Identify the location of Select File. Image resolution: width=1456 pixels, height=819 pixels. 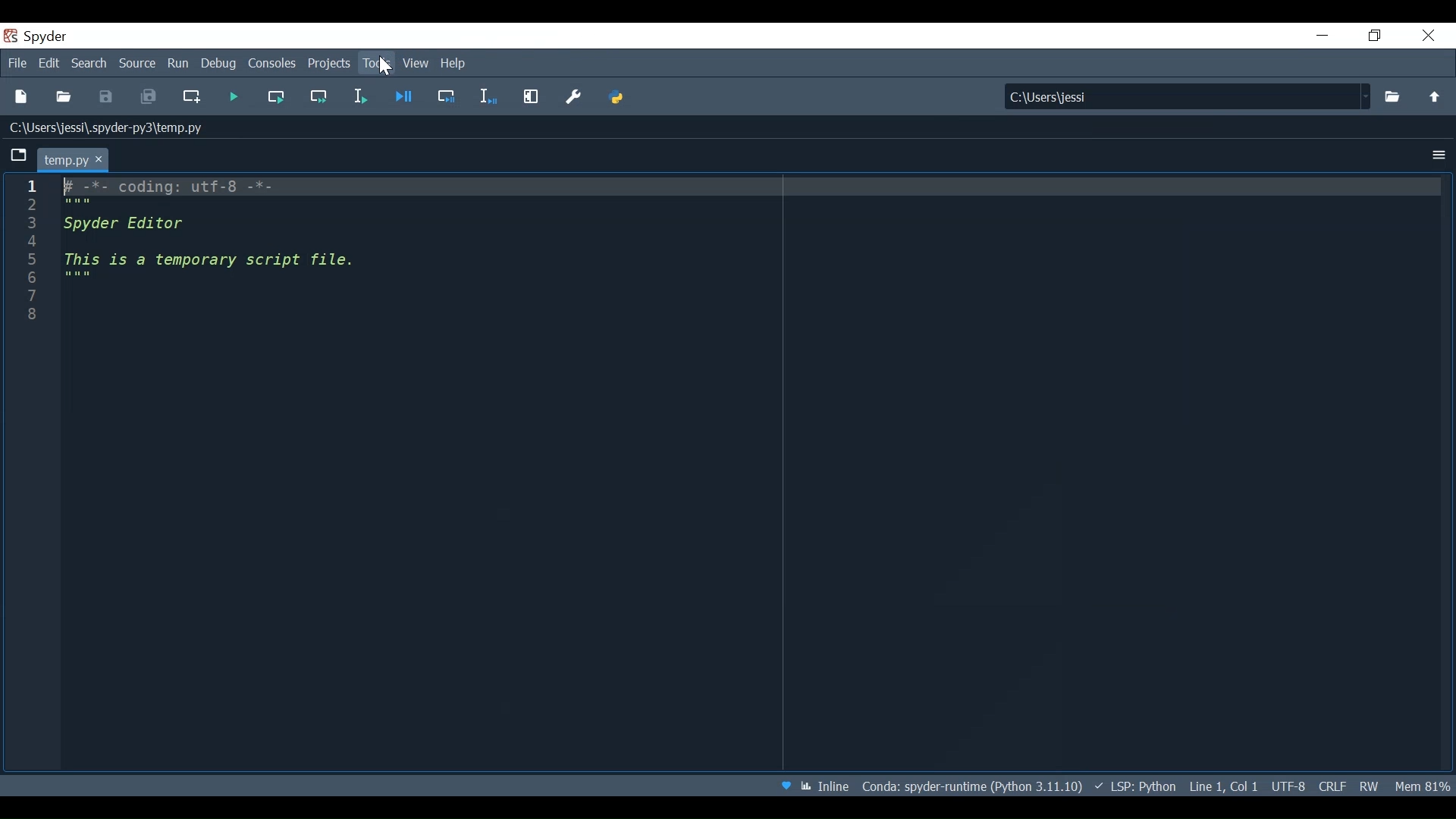
(1391, 96).